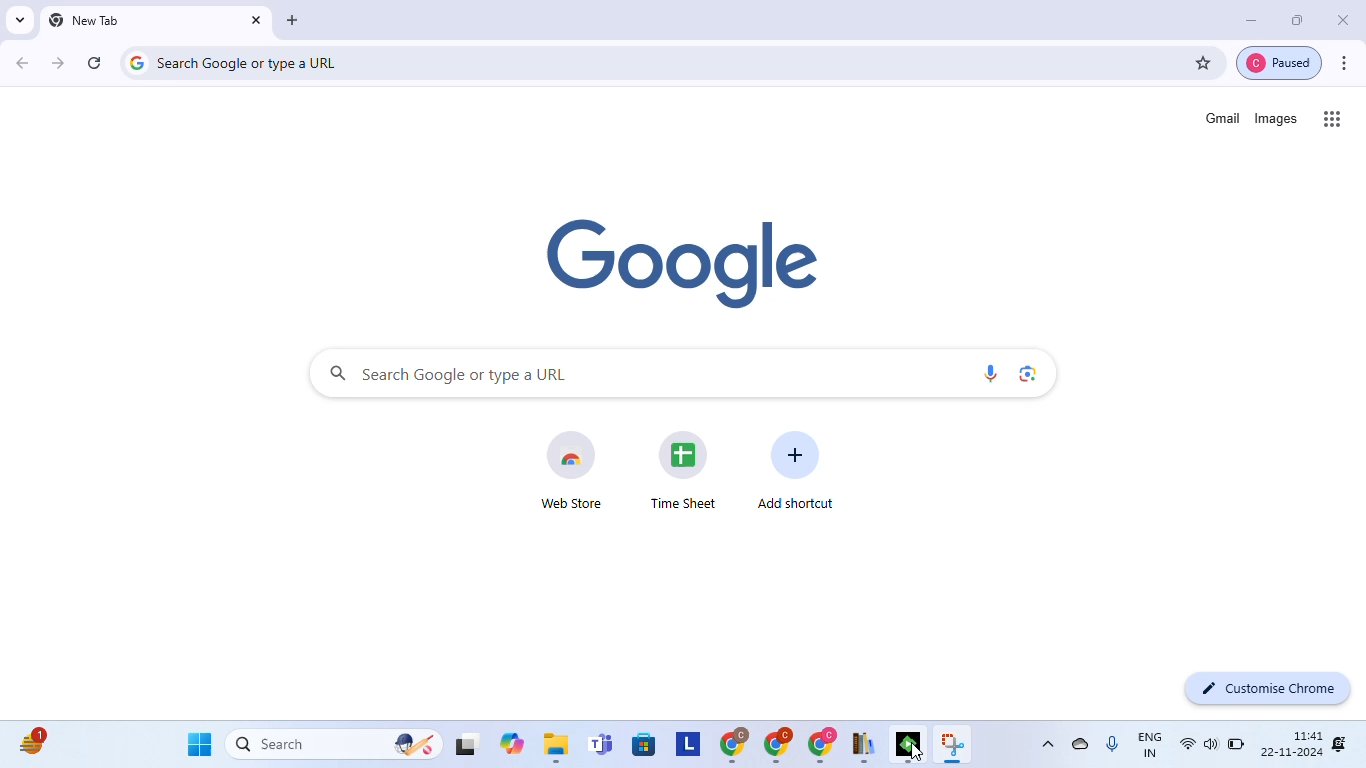 This screenshot has height=768, width=1366. What do you see at coordinates (557, 746) in the screenshot?
I see `files` at bounding box center [557, 746].